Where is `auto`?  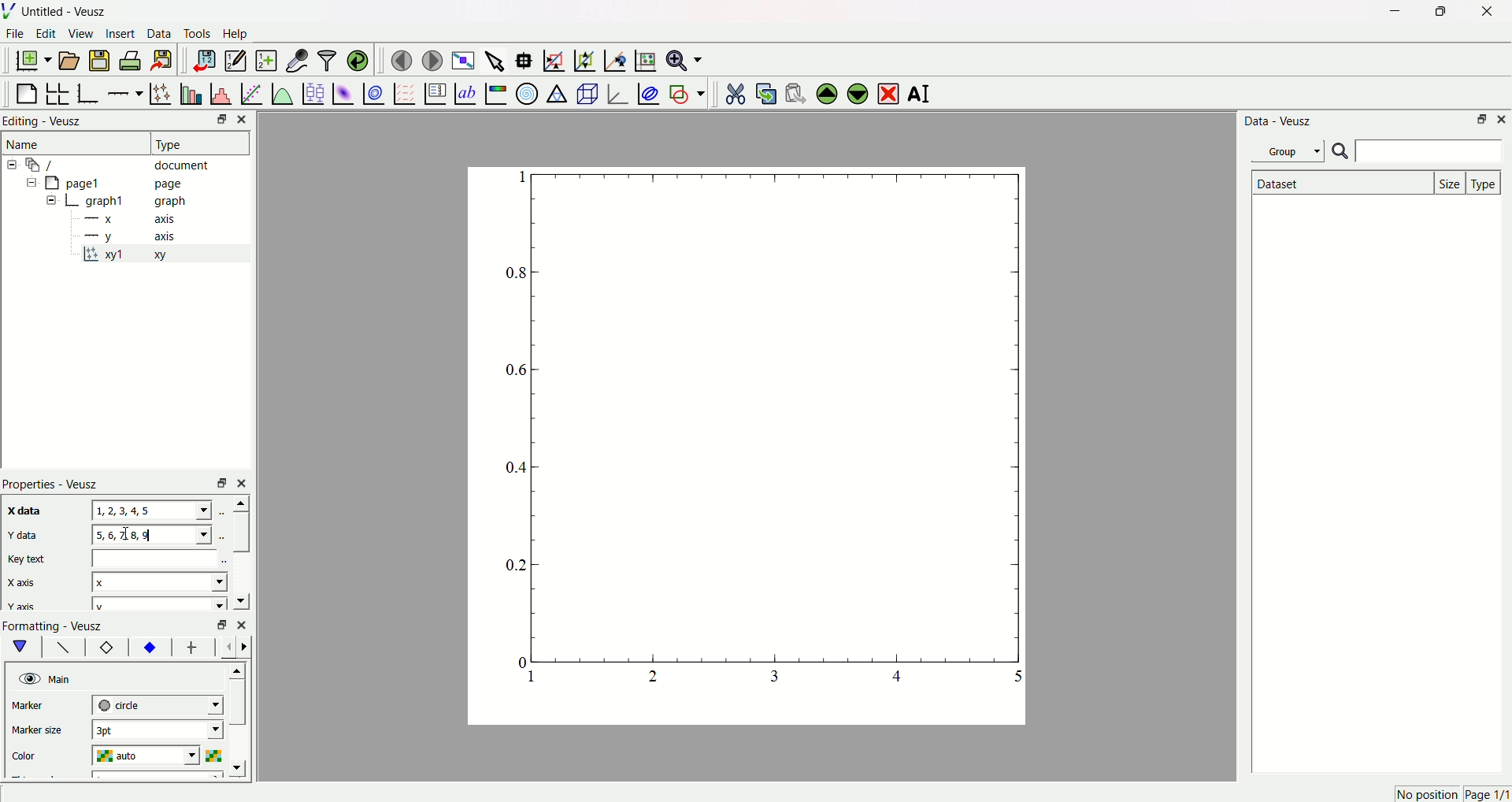 auto is located at coordinates (150, 756).